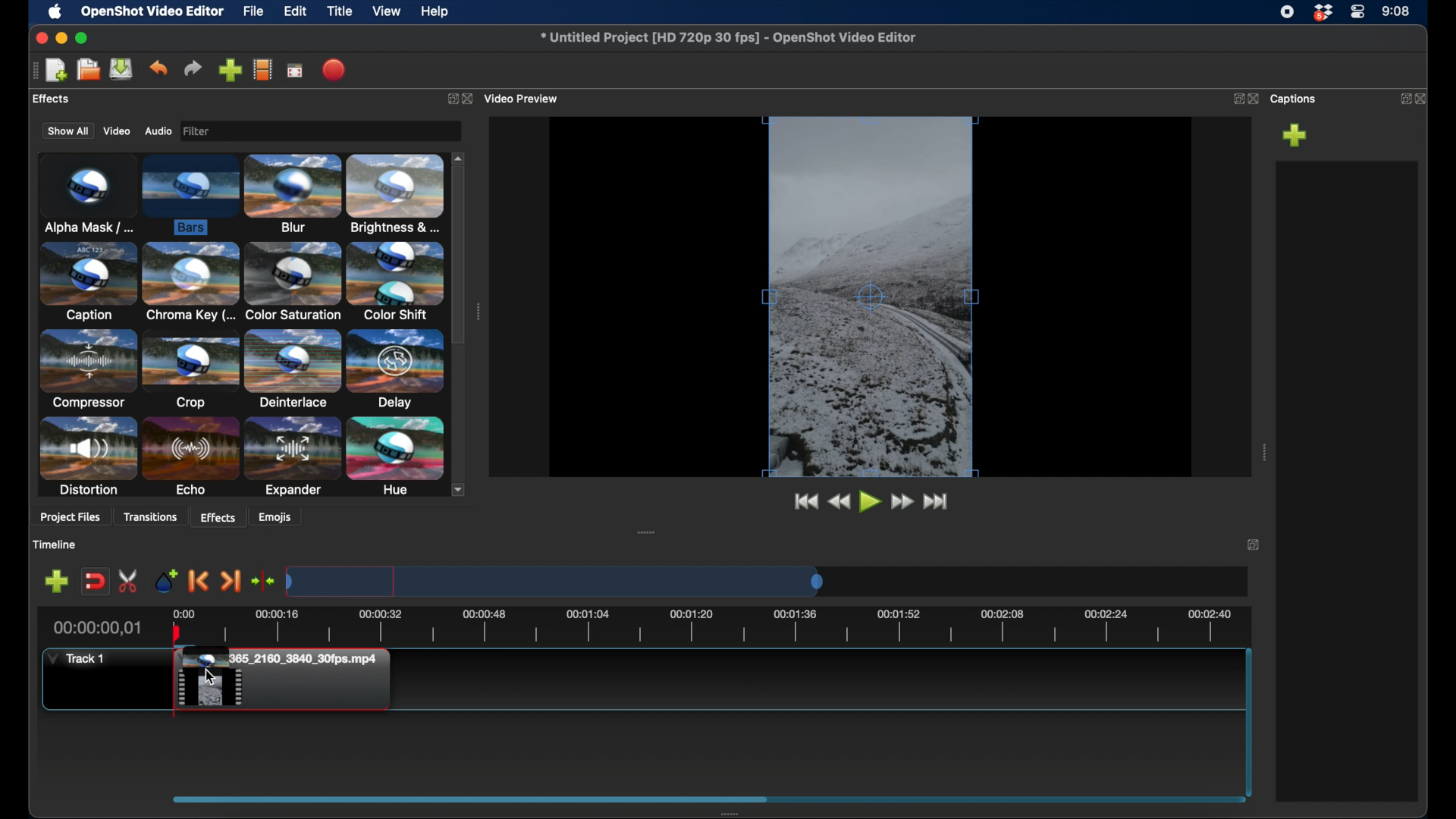 Image resolution: width=1456 pixels, height=819 pixels. I want to click on effects, so click(218, 516).